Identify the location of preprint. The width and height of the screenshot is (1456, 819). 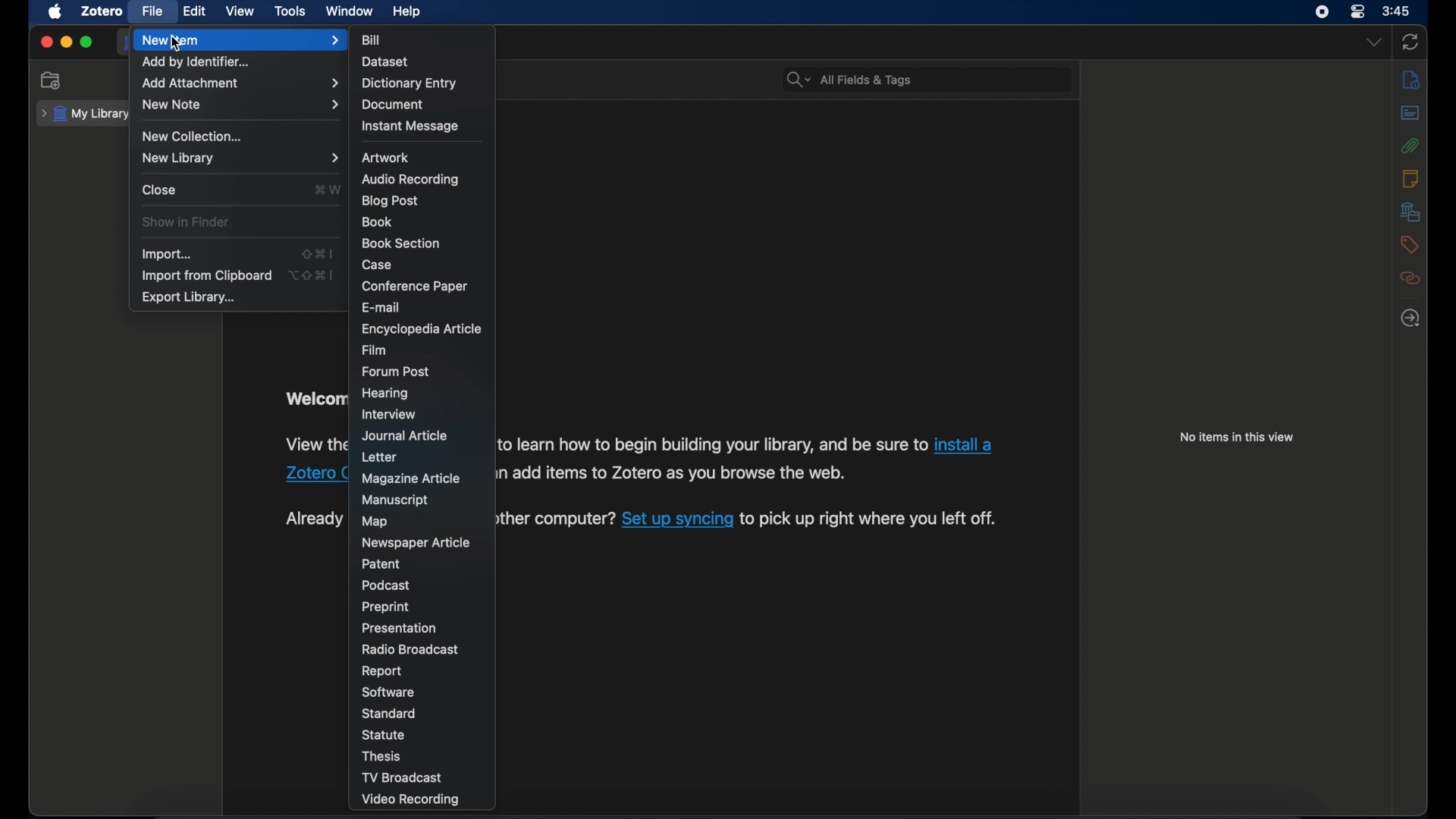
(385, 607).